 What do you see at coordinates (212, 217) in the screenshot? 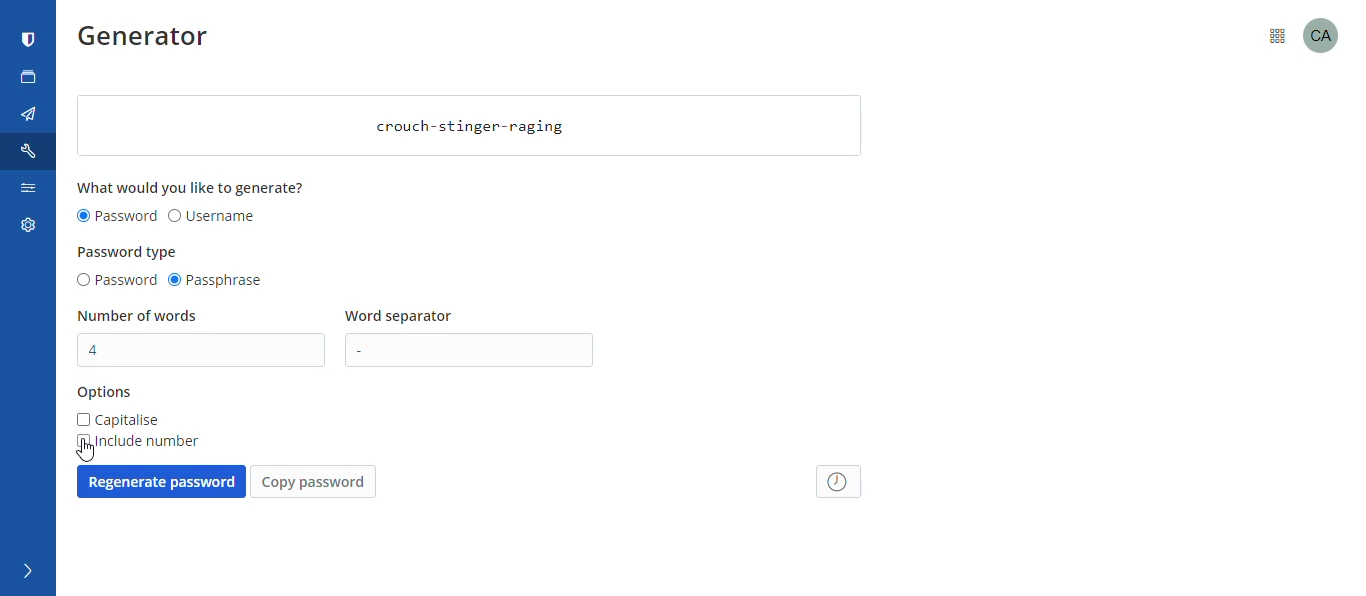
I see `username radio button` at bounding box center [212, 217].